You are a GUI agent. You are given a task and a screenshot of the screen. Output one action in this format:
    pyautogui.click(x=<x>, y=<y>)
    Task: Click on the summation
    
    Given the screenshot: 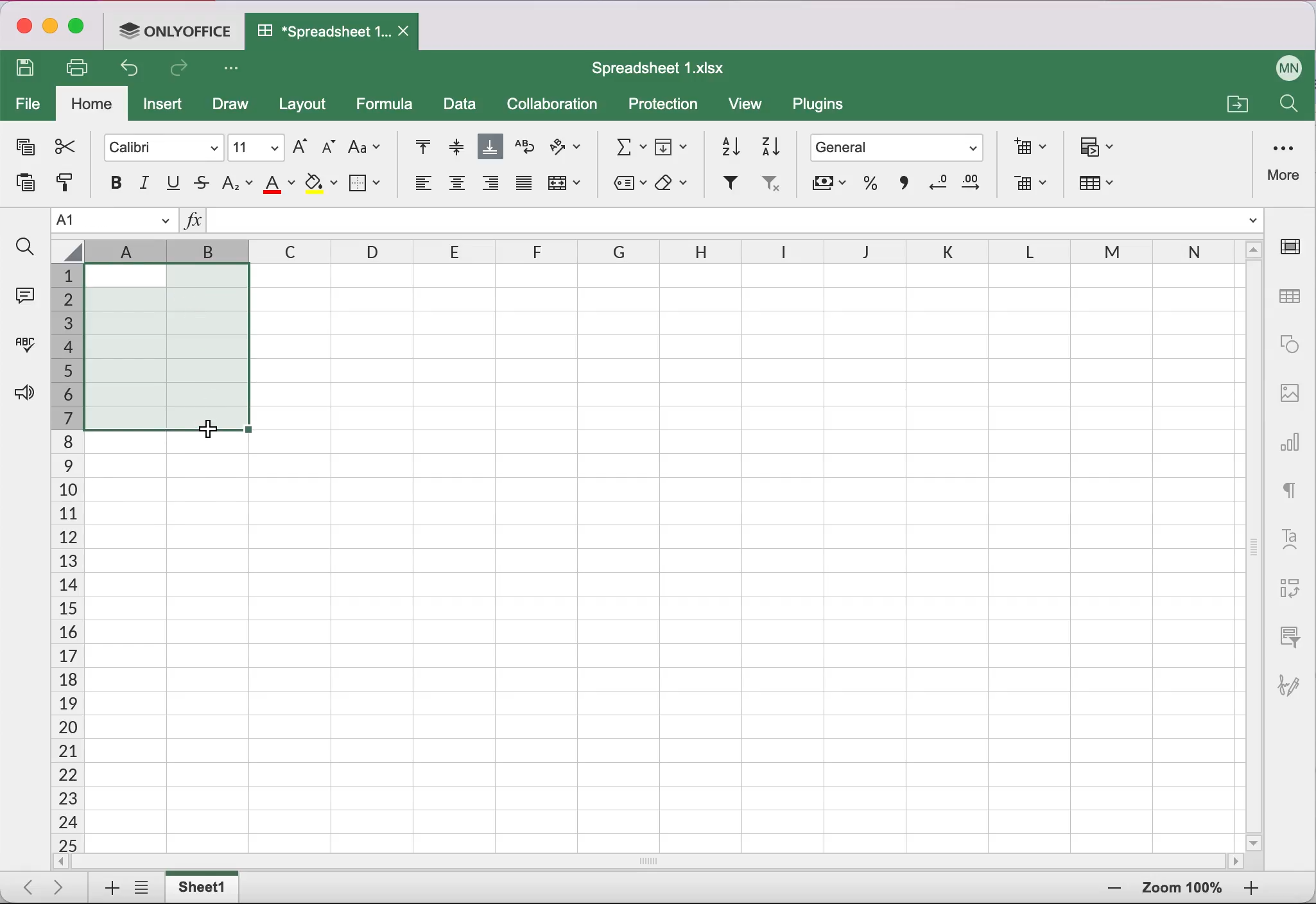 What is the action you would take?
    pyautogui.click(x=625, y=145)
    